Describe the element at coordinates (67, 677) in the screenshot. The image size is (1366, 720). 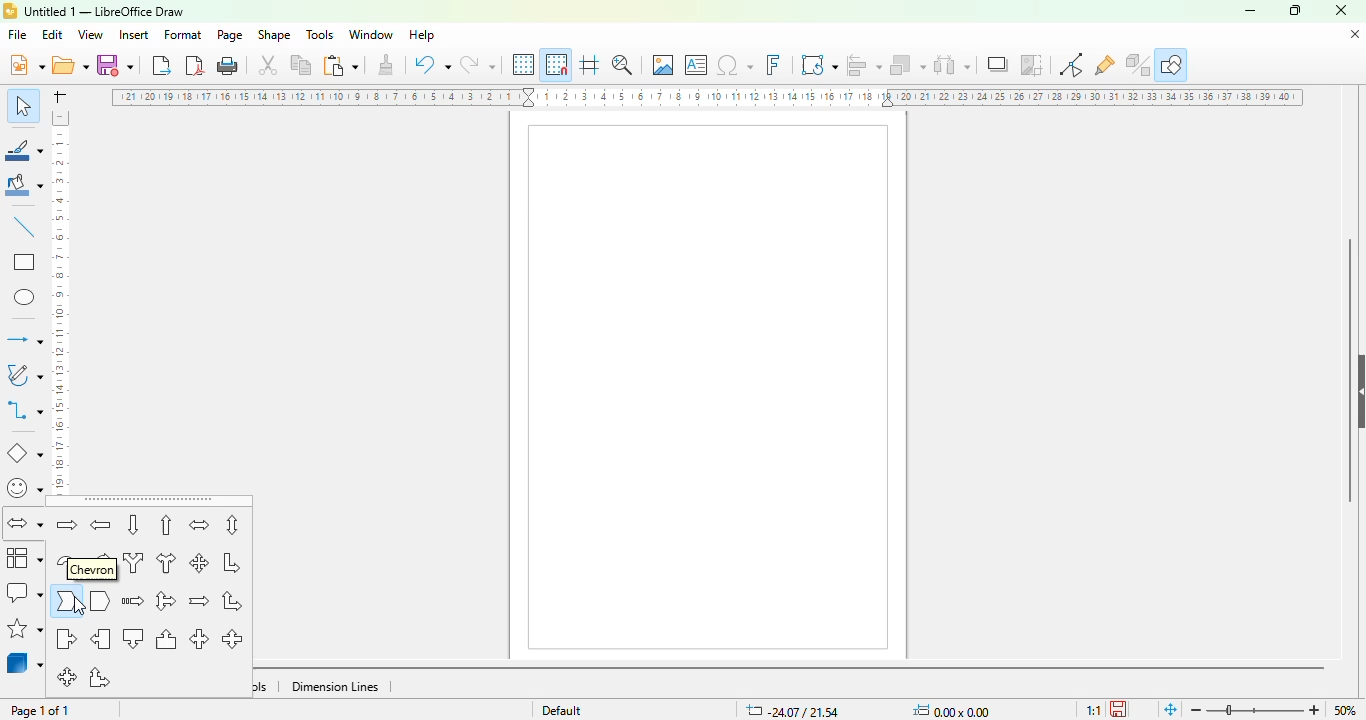
I see `4-way arrow callout` at that location.